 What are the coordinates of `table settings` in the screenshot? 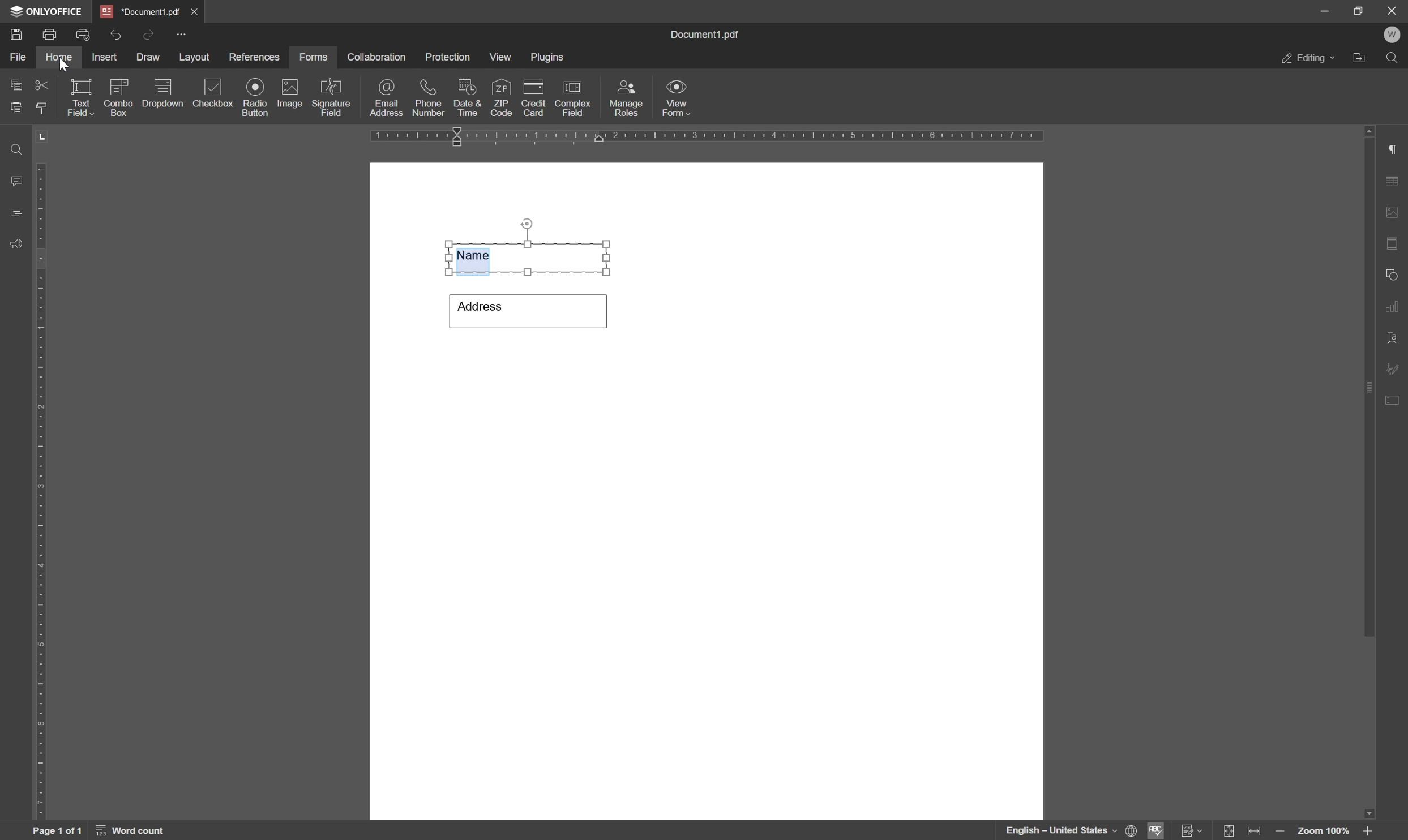 It's located at (1396, 182).